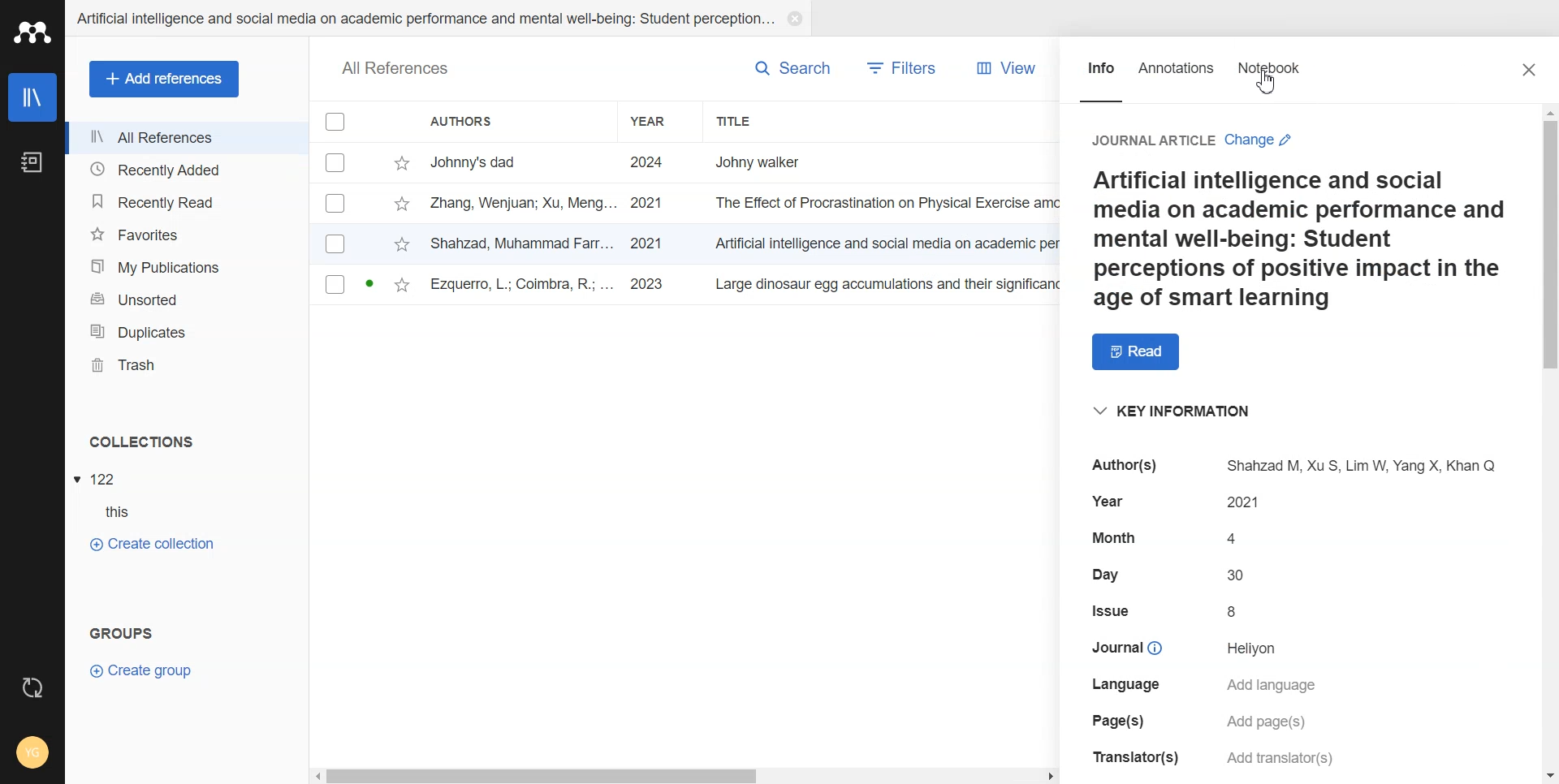  Describe the element at coordinates (336, 203) in the screenshot. I see `Checkbox` at that location.